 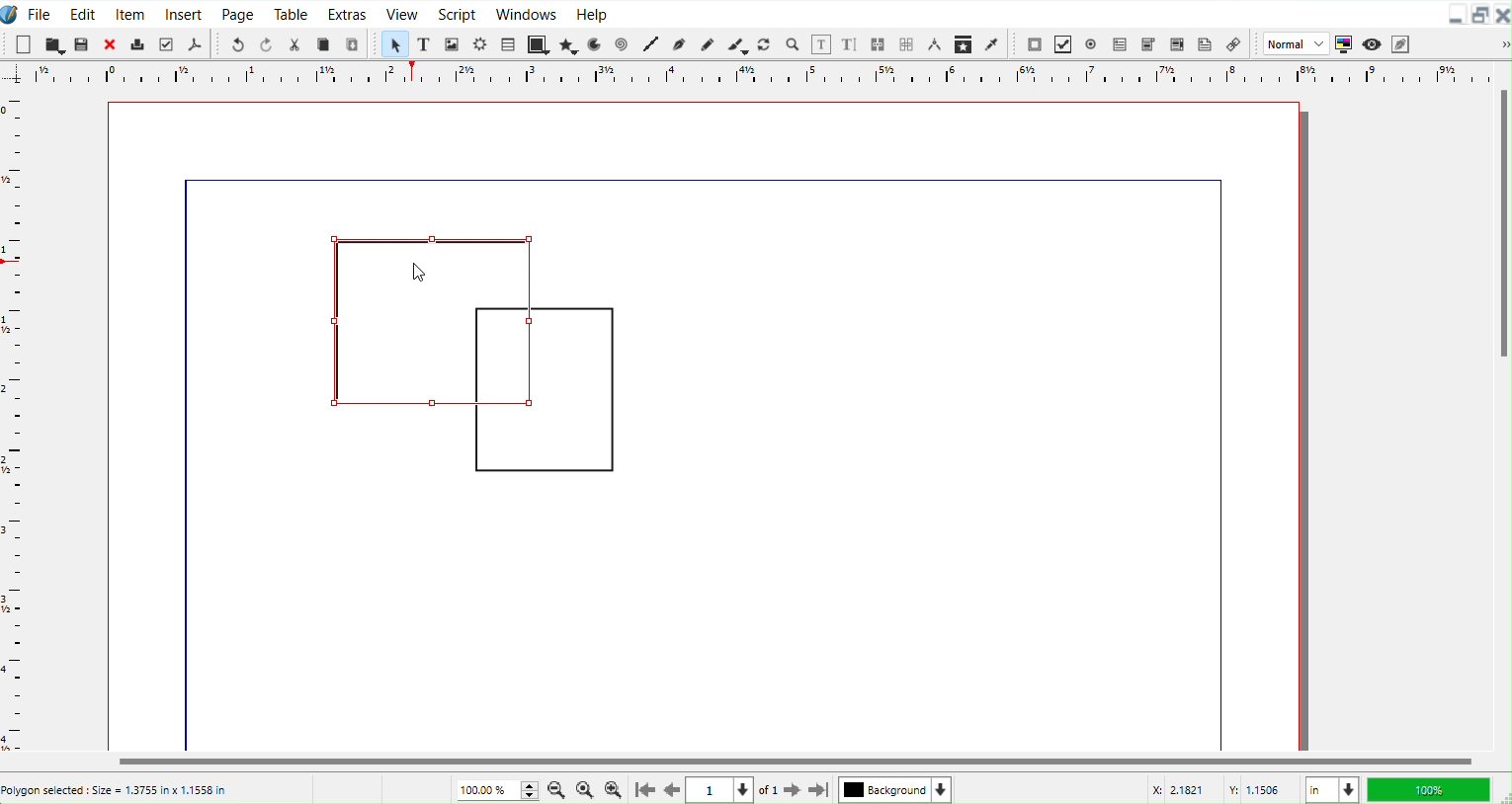 What do you see at coordinates (453, 43) in the screenshot?
I see `Image Frame` at bounding box center [453, 43].